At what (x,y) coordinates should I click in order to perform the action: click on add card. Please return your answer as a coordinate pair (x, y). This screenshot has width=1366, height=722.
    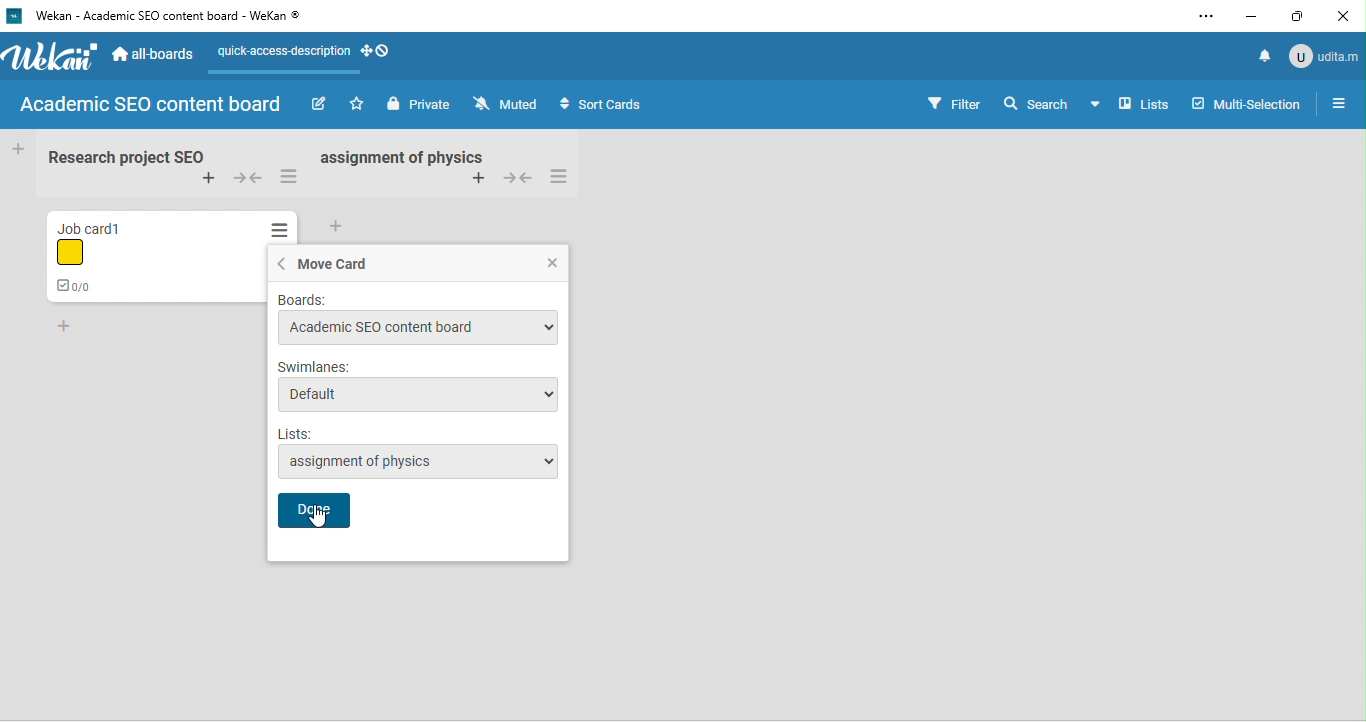
    Looking at the image, I should click on (479, 183).